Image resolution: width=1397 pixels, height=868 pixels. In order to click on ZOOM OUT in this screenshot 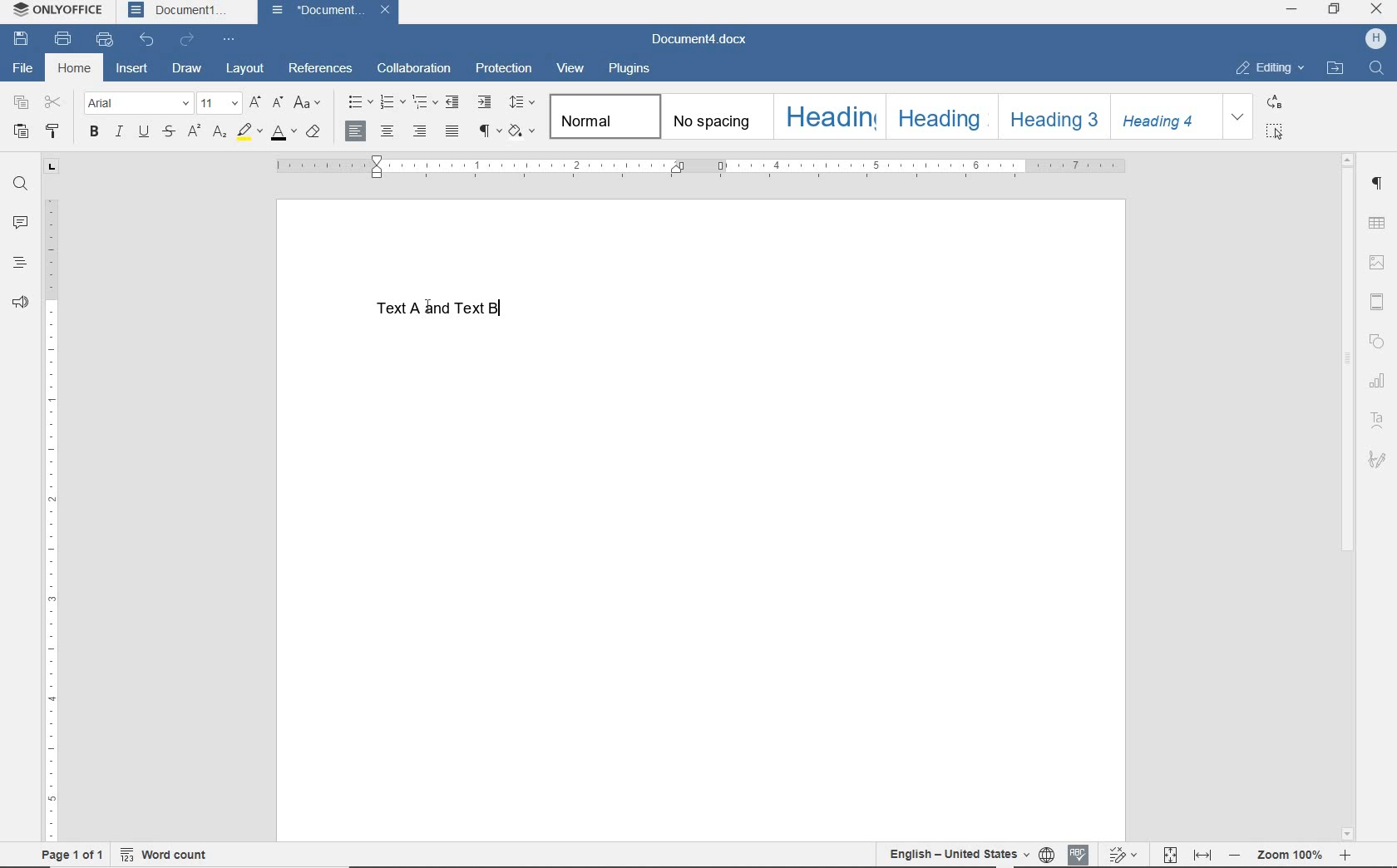, I will do `click(1290, 855)`.